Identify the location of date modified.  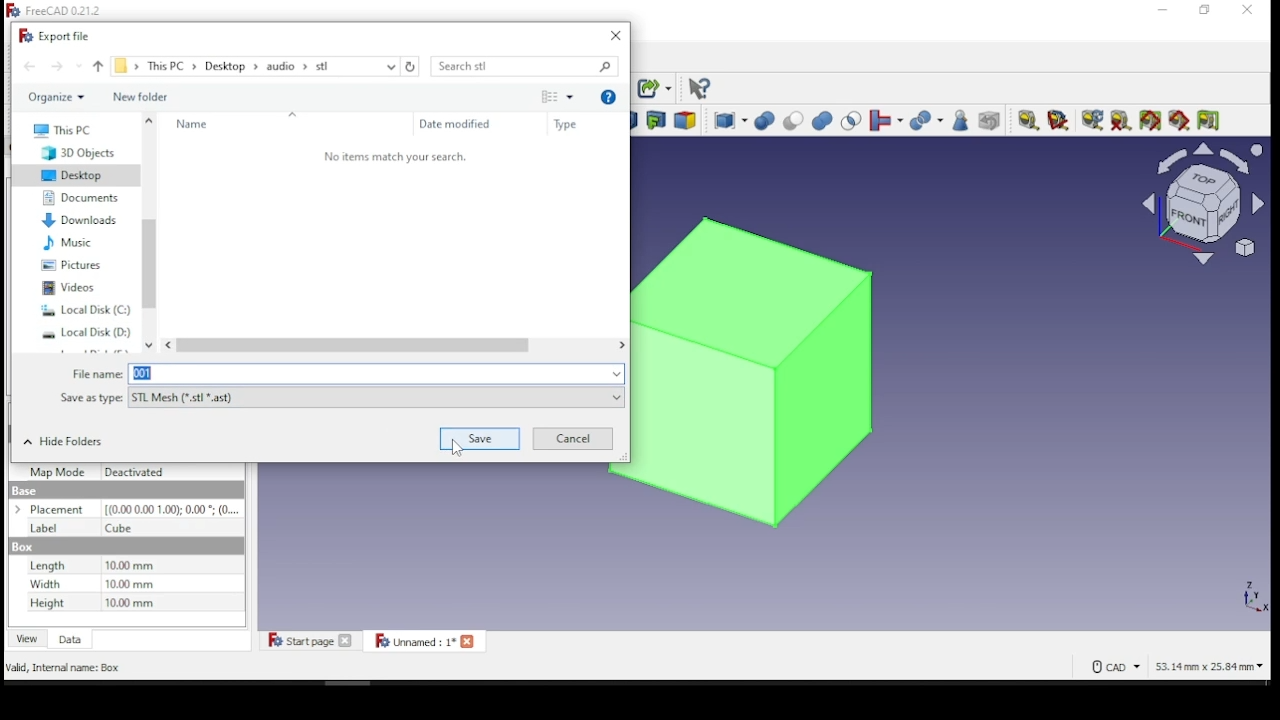
(466, 123).